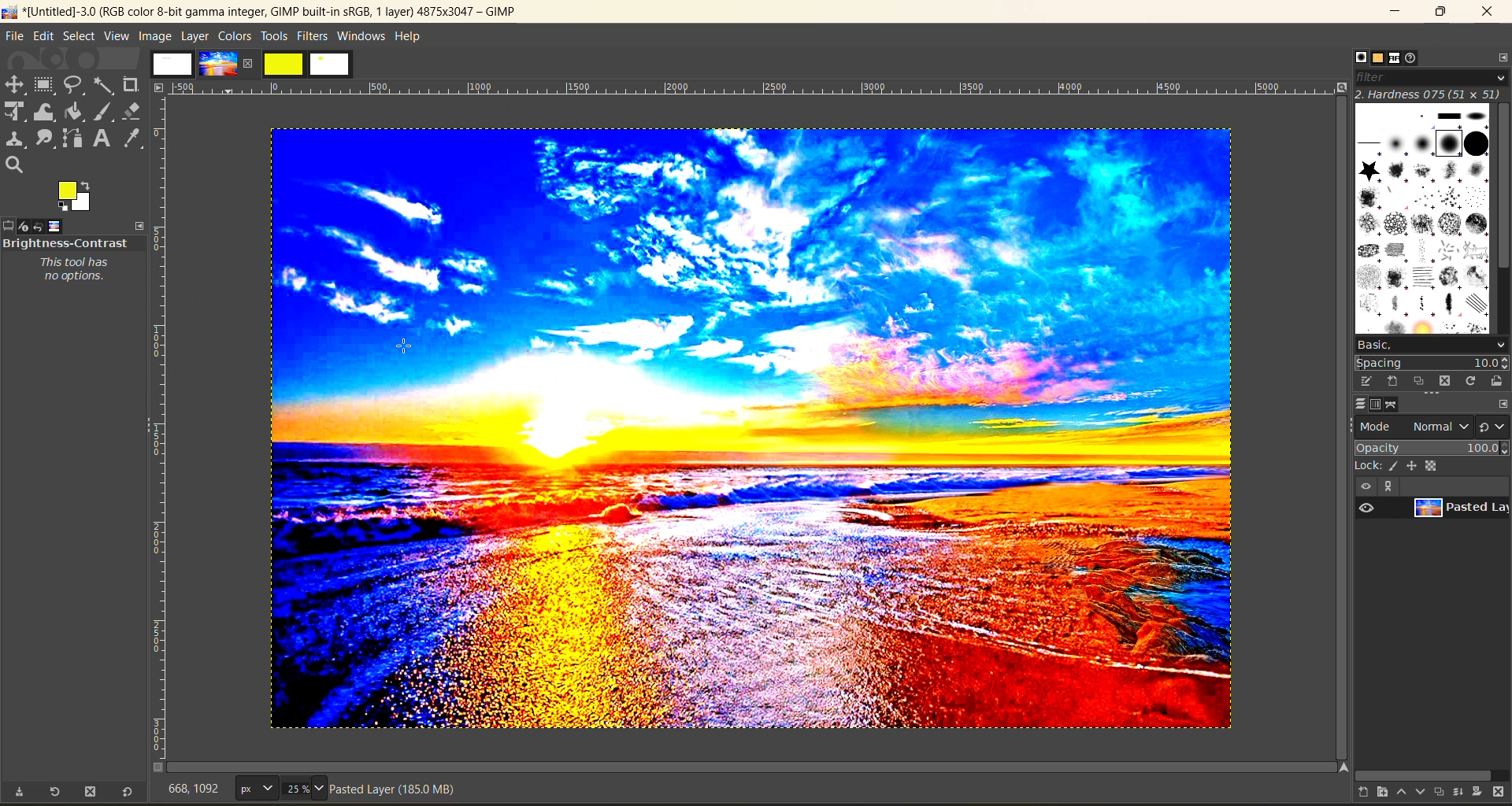  I want to click on save tool preset, so click(19, 792).